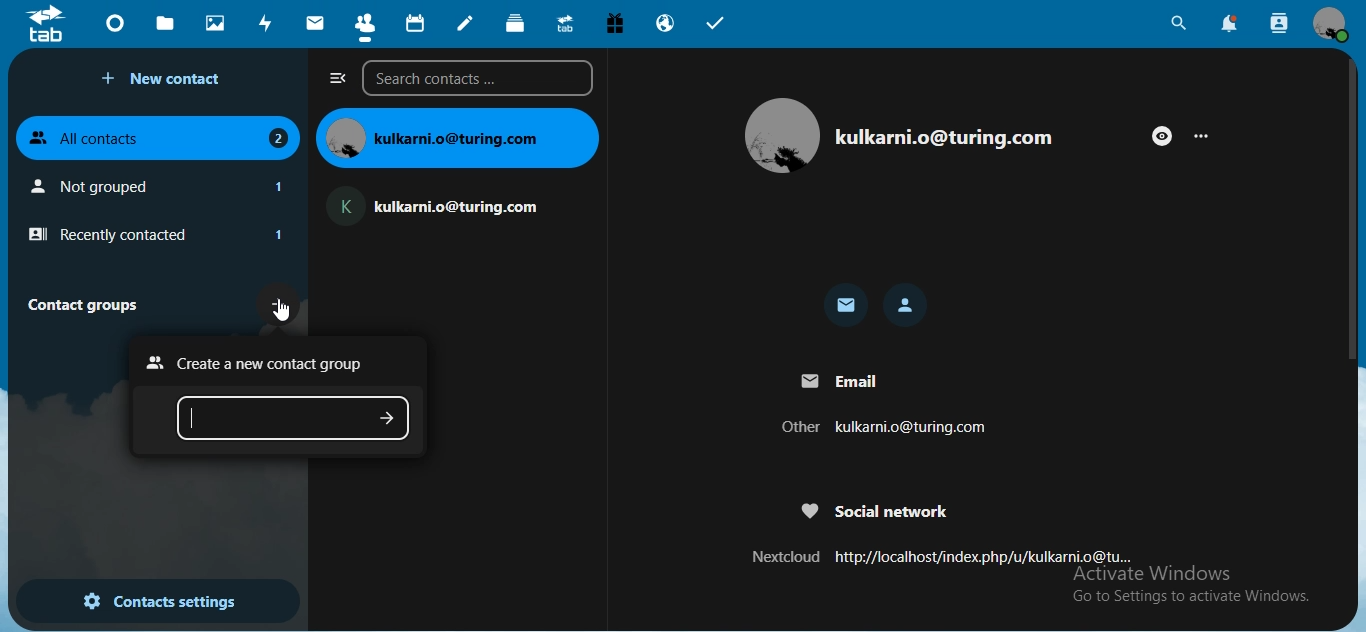 The width and height of the screenshot is (1366, 632). Describe the element at coordinates (565, 22) in the screenshot. I see `synology` at that location.